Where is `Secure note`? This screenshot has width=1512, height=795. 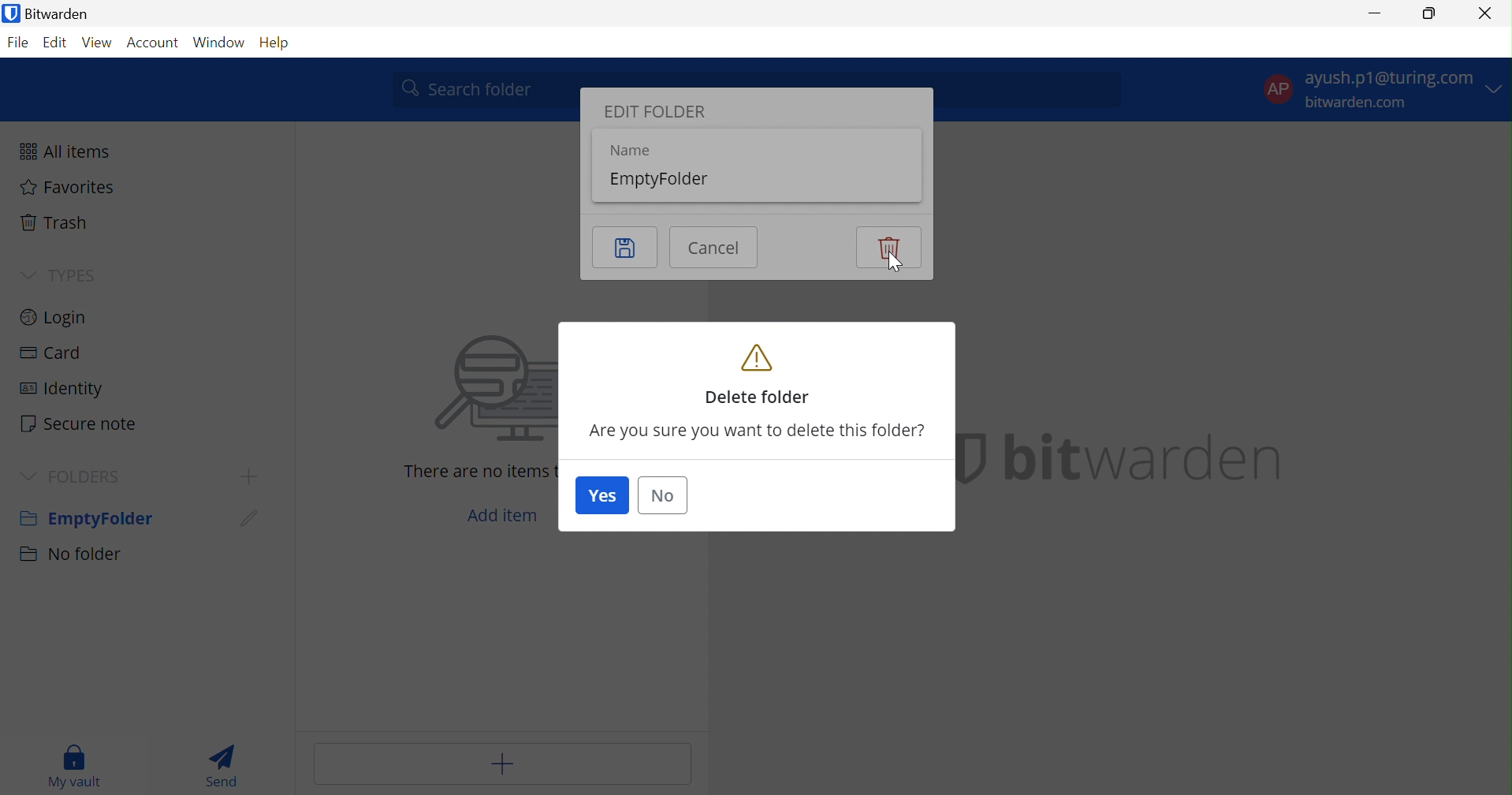
Secure note is located at coordinates (78, 424).